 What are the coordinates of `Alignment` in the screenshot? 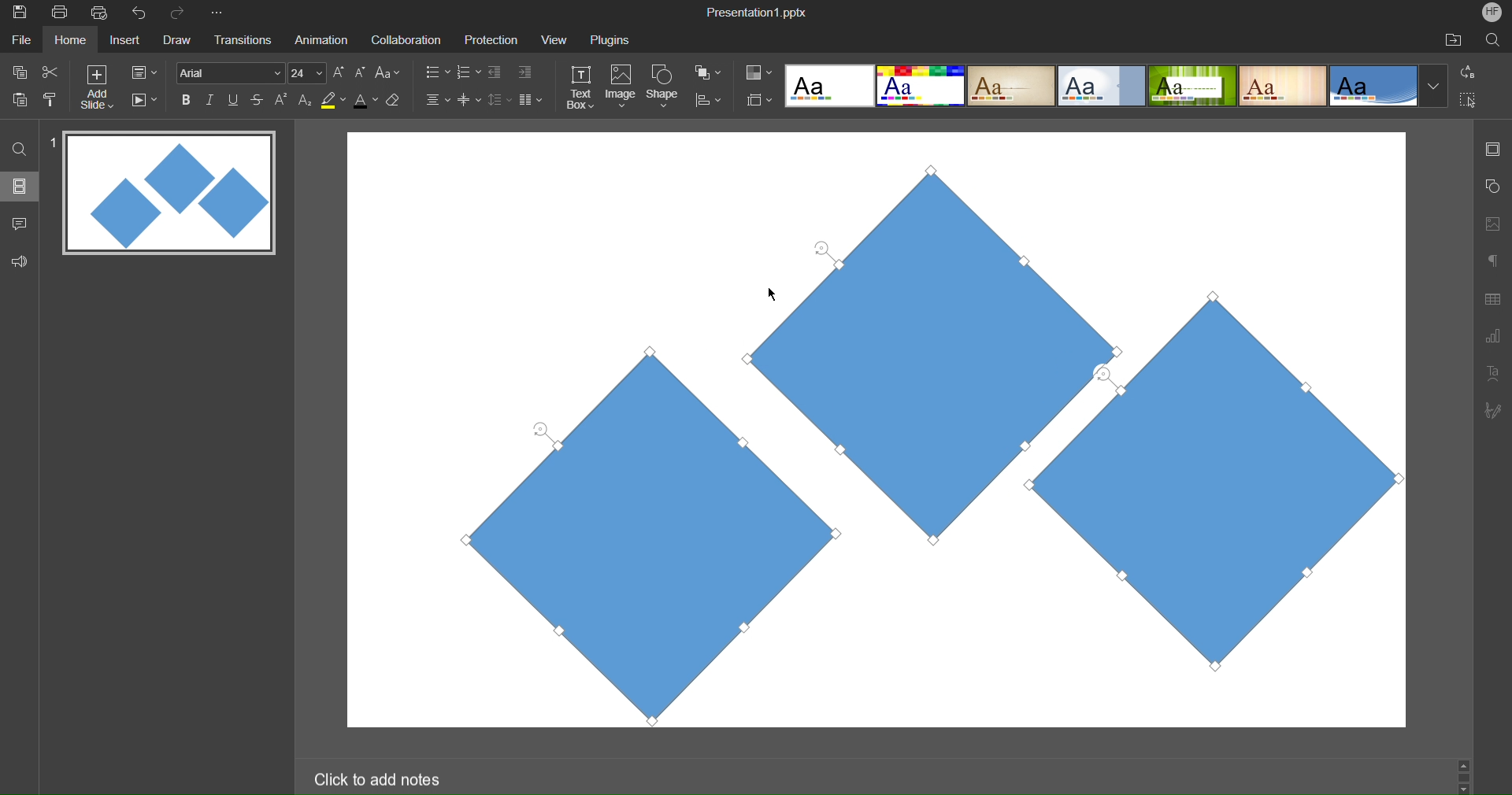 It's located at (436, 99).